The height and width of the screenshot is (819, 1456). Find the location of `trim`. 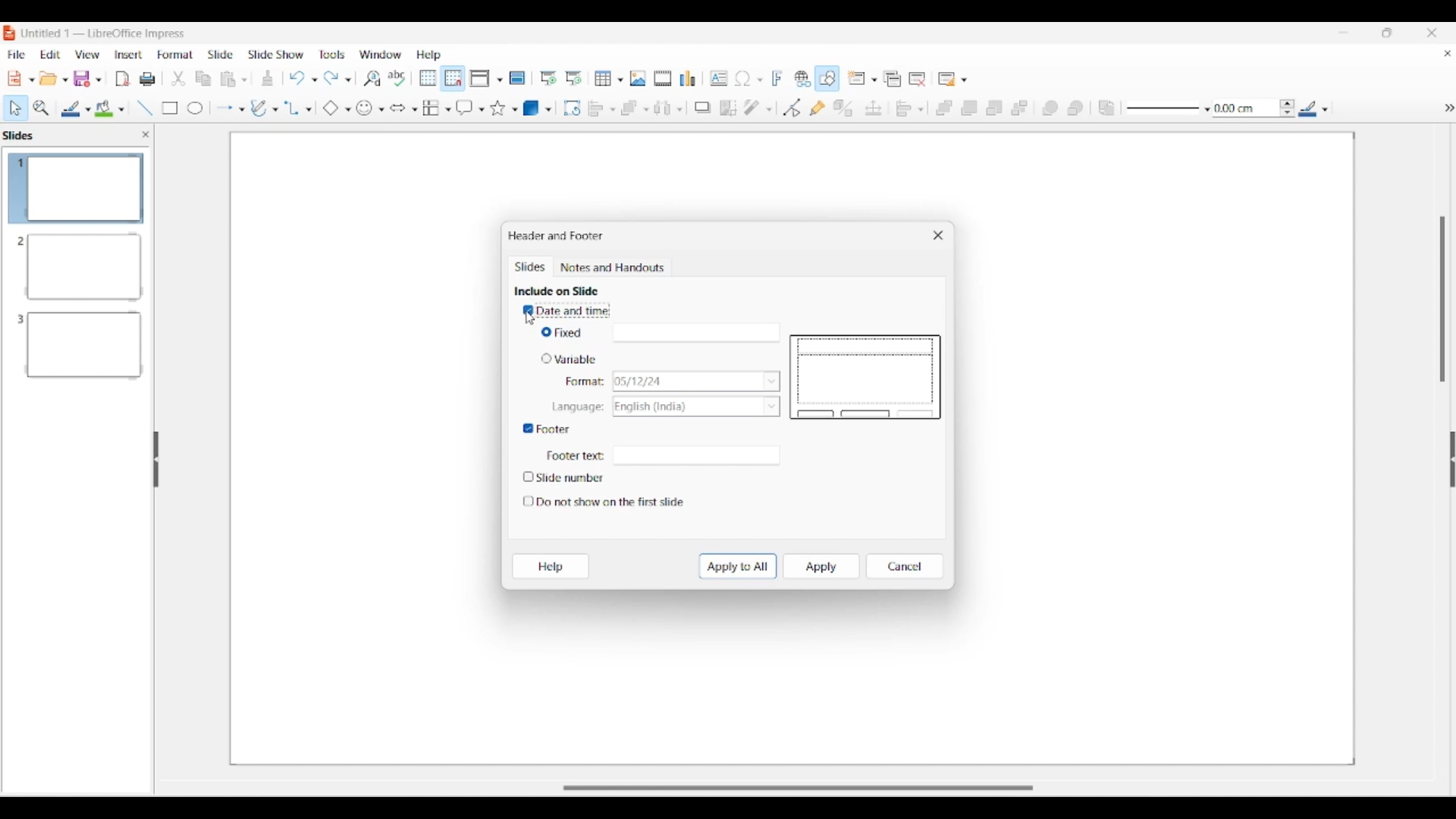

trim is located at coordinates (176, 77).